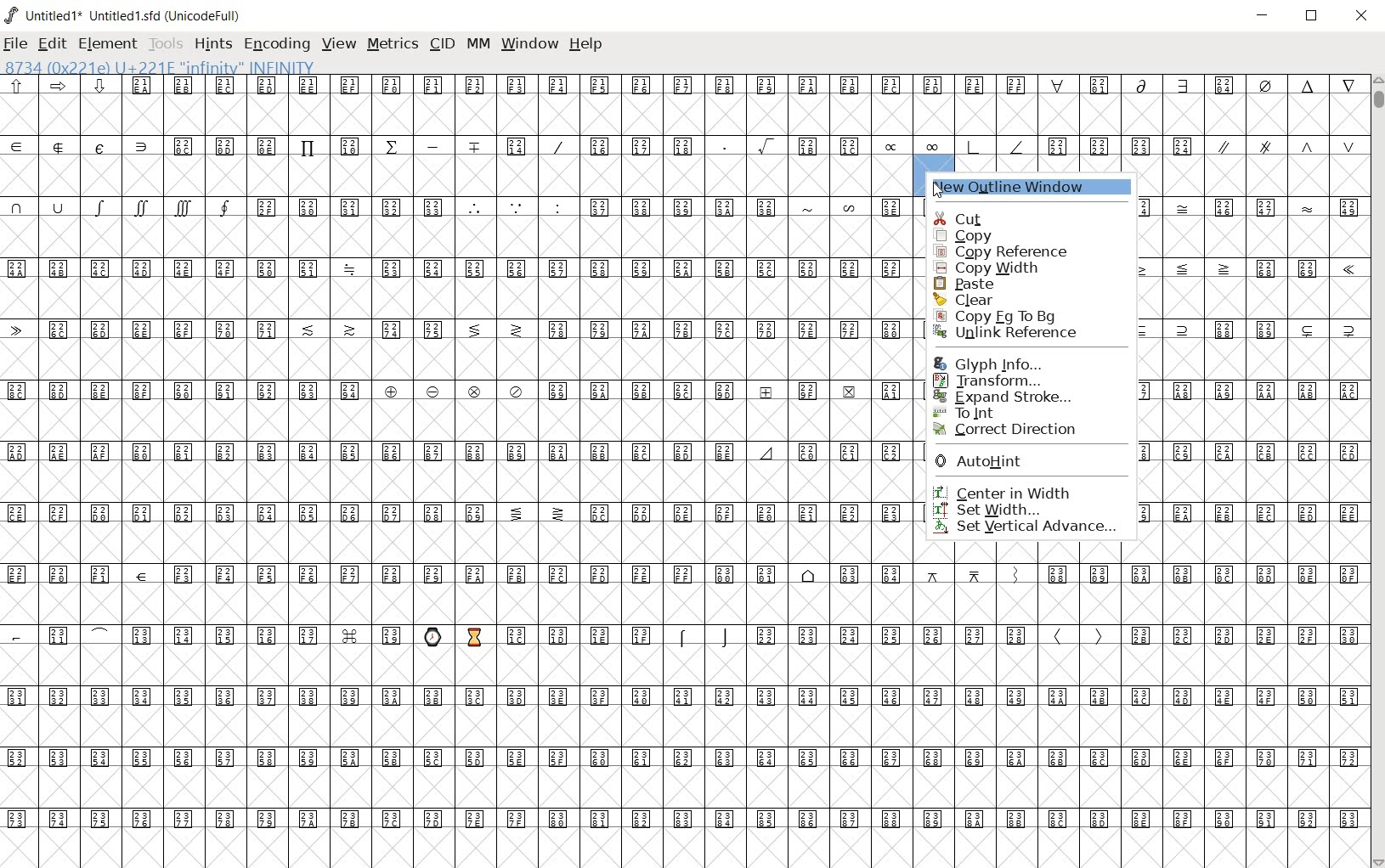 The height and width of the screenshot is (868, 1385). What do you see at coordinates (1246, 208) in the screenshot?
I see `Unicode code points` at bounding box center [1246, 208].